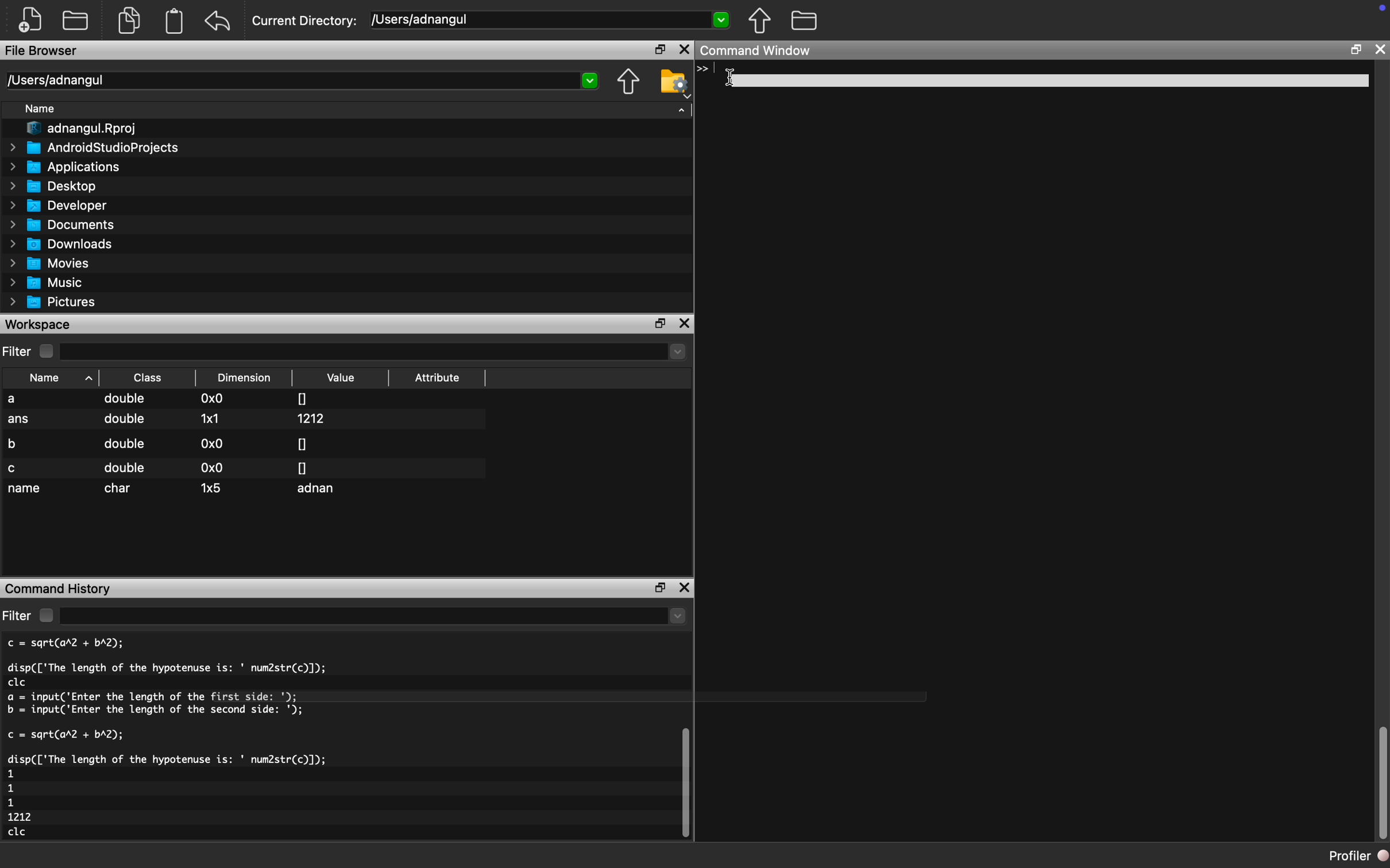 The width and height of the screenshot is (1390, 868). What do you see at coordinates (1346, 855) in the screenshot?
I see `profiler` at bounding box center [1346, 855].